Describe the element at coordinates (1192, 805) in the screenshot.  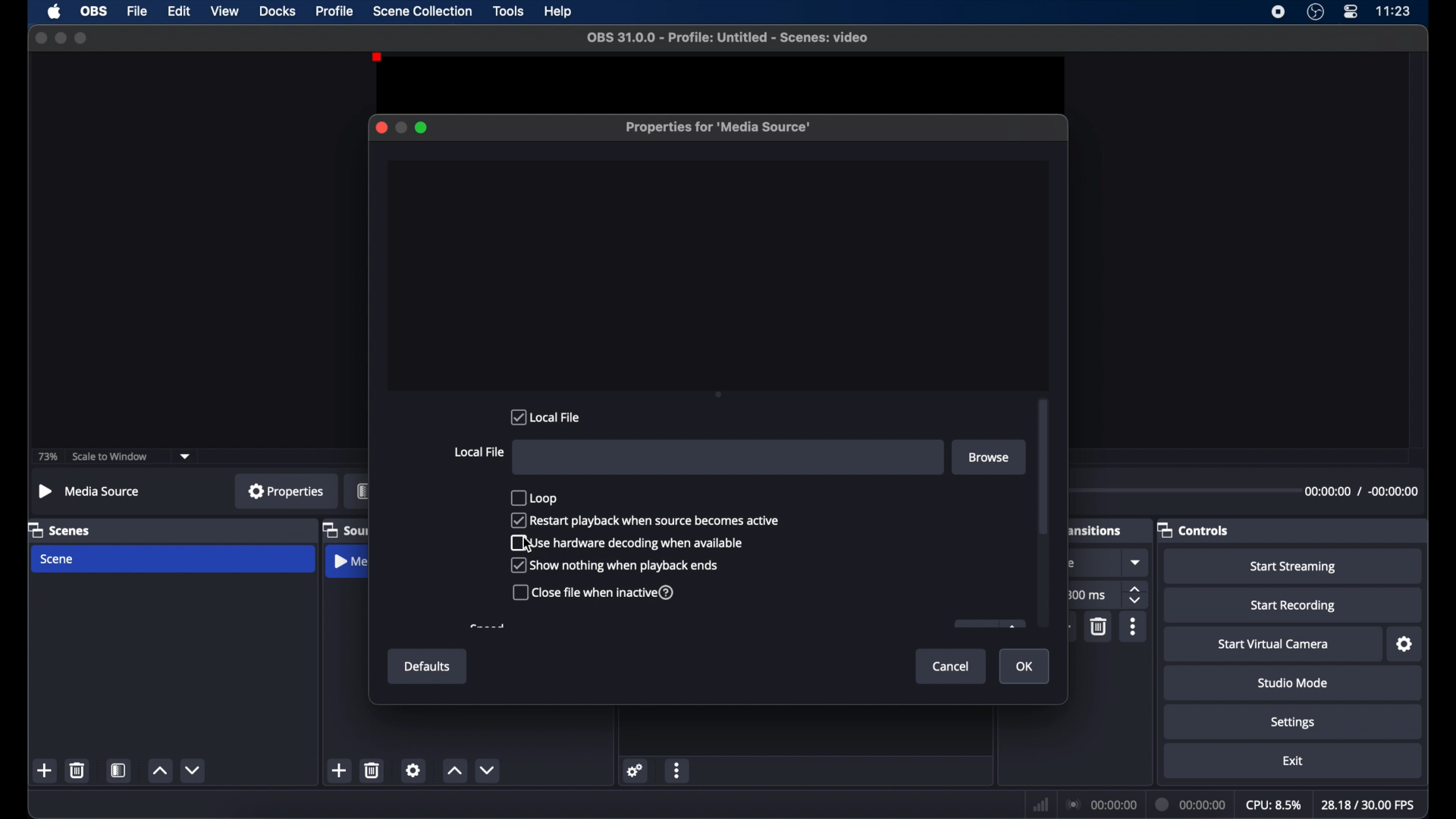
I see `duration` at that location.